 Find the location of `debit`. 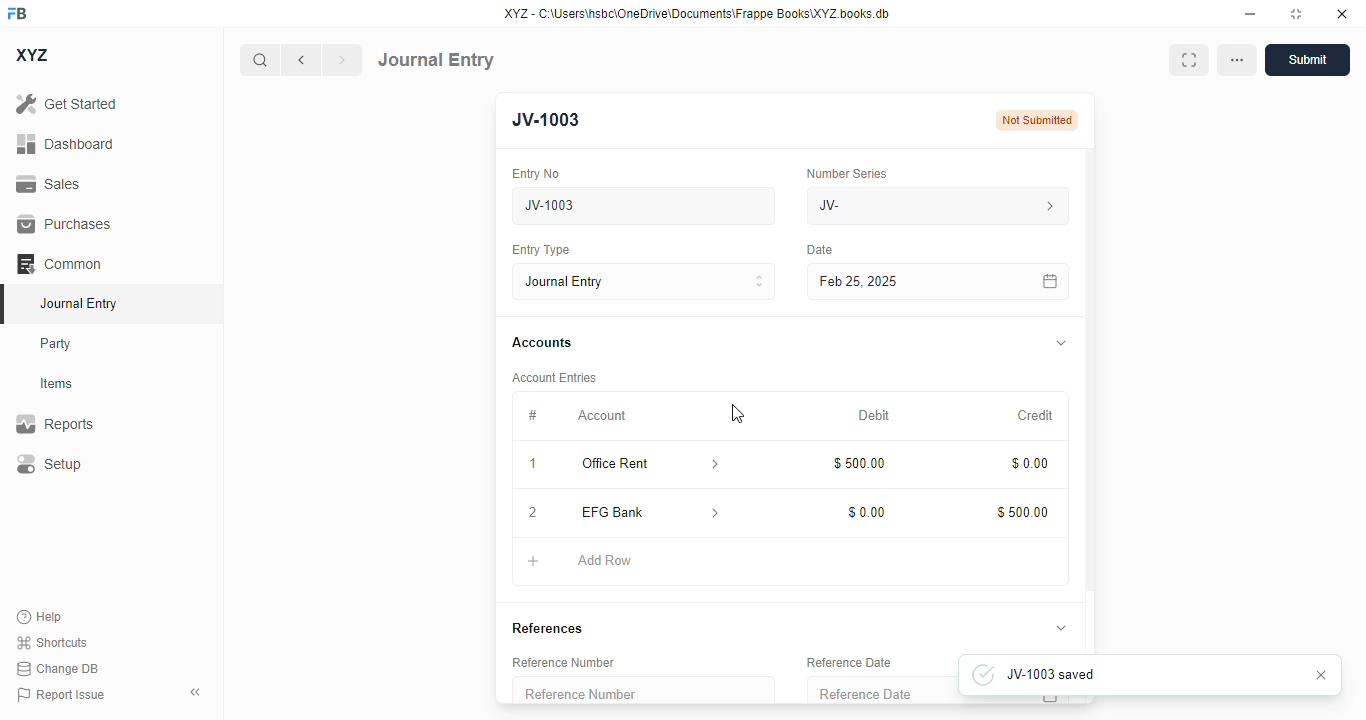

debit is located at coordinates (875, 417).